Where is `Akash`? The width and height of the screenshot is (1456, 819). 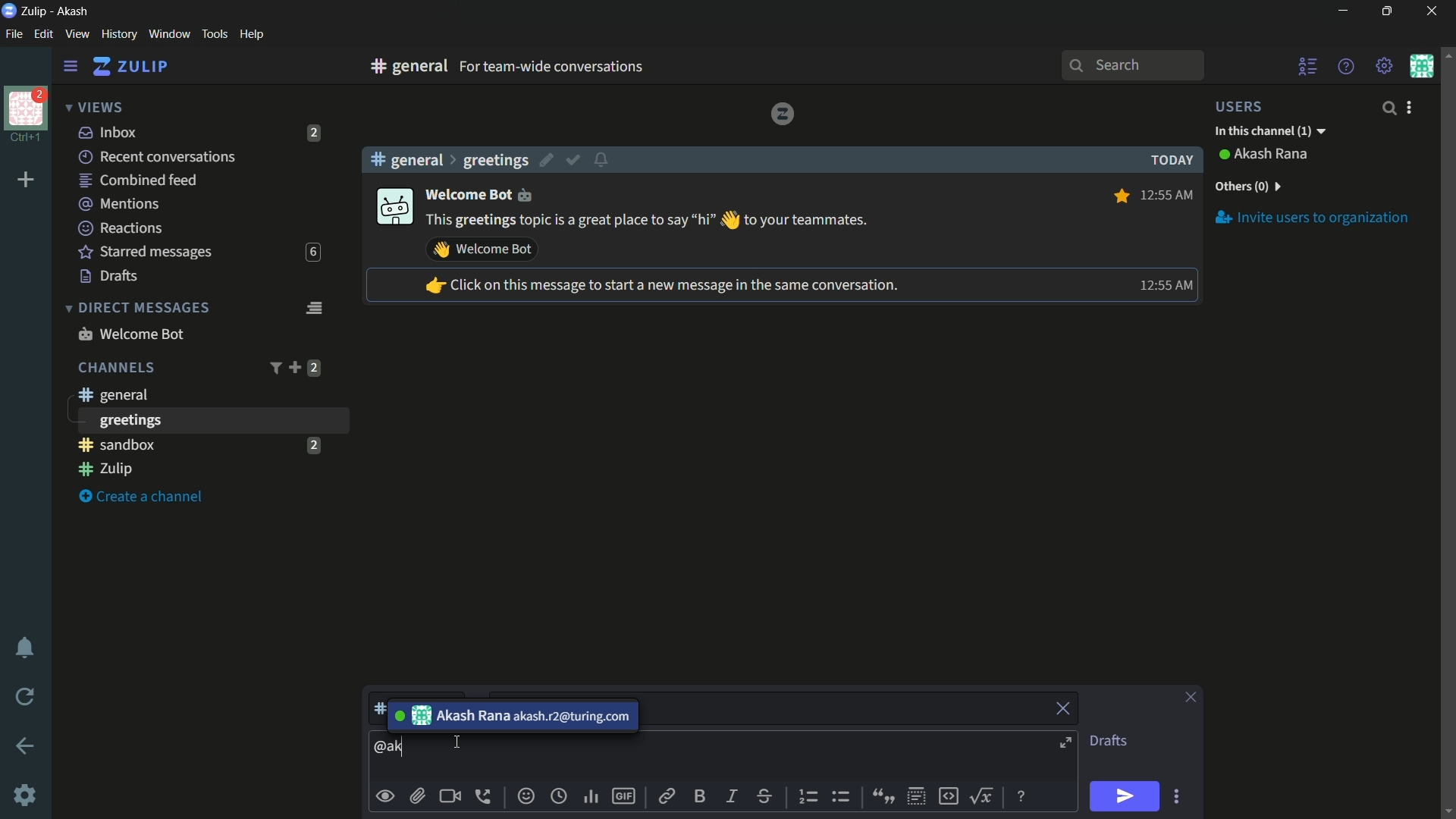
Akash is located at coordinates (74, 12).